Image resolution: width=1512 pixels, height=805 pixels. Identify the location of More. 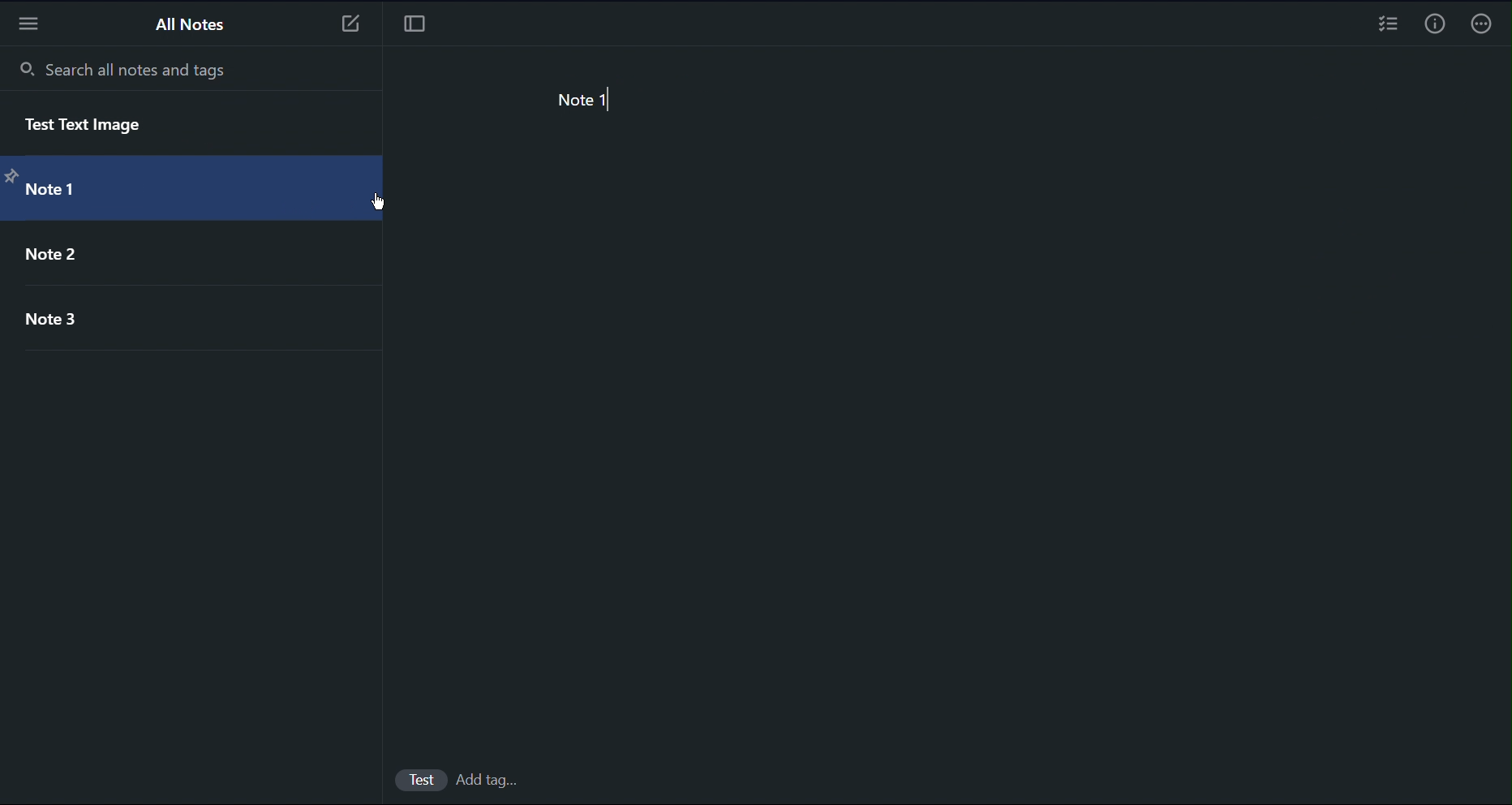
(32, 24).